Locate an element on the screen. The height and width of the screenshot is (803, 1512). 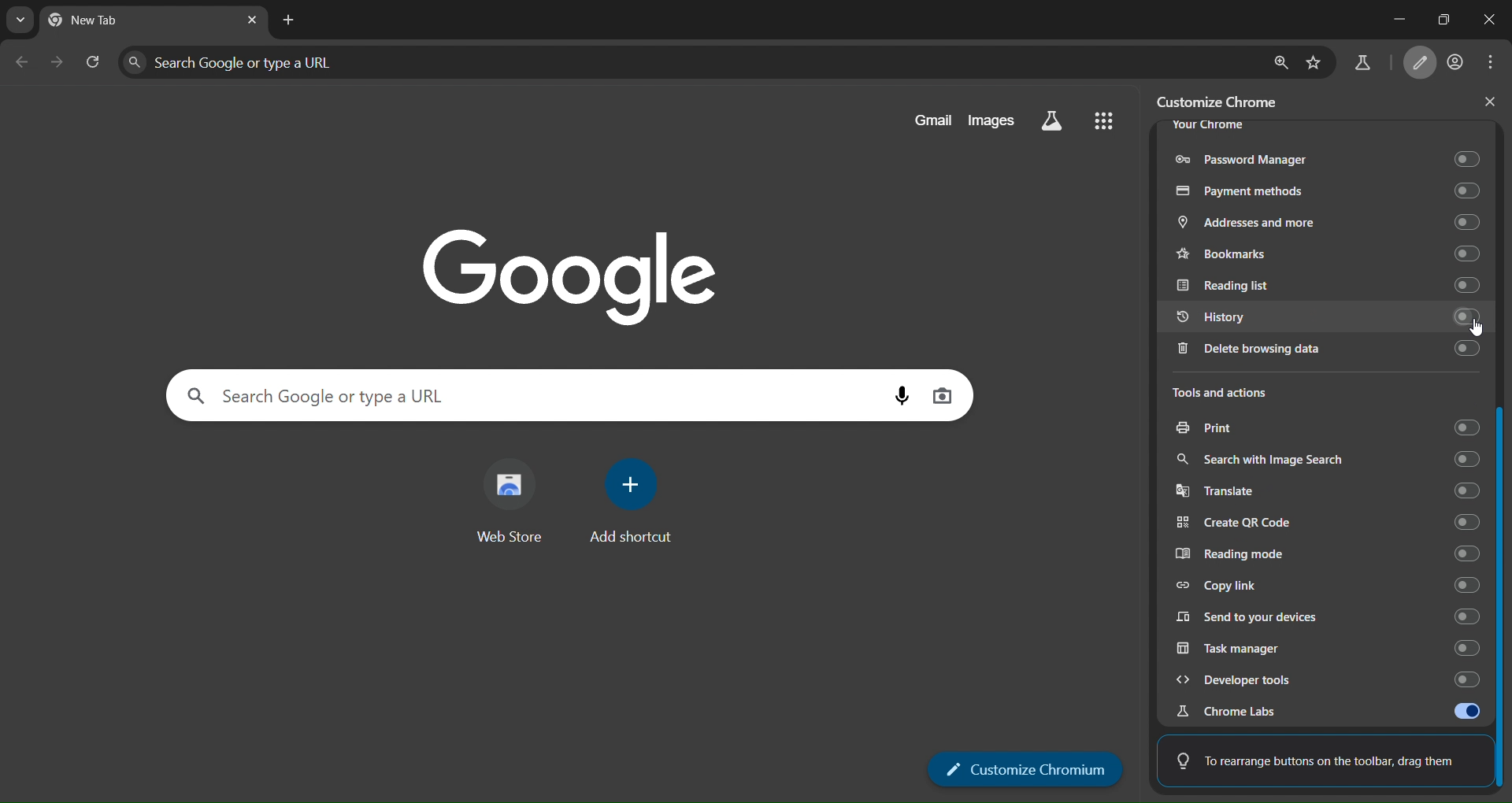
go back one page is located at coordinates (22, 61).